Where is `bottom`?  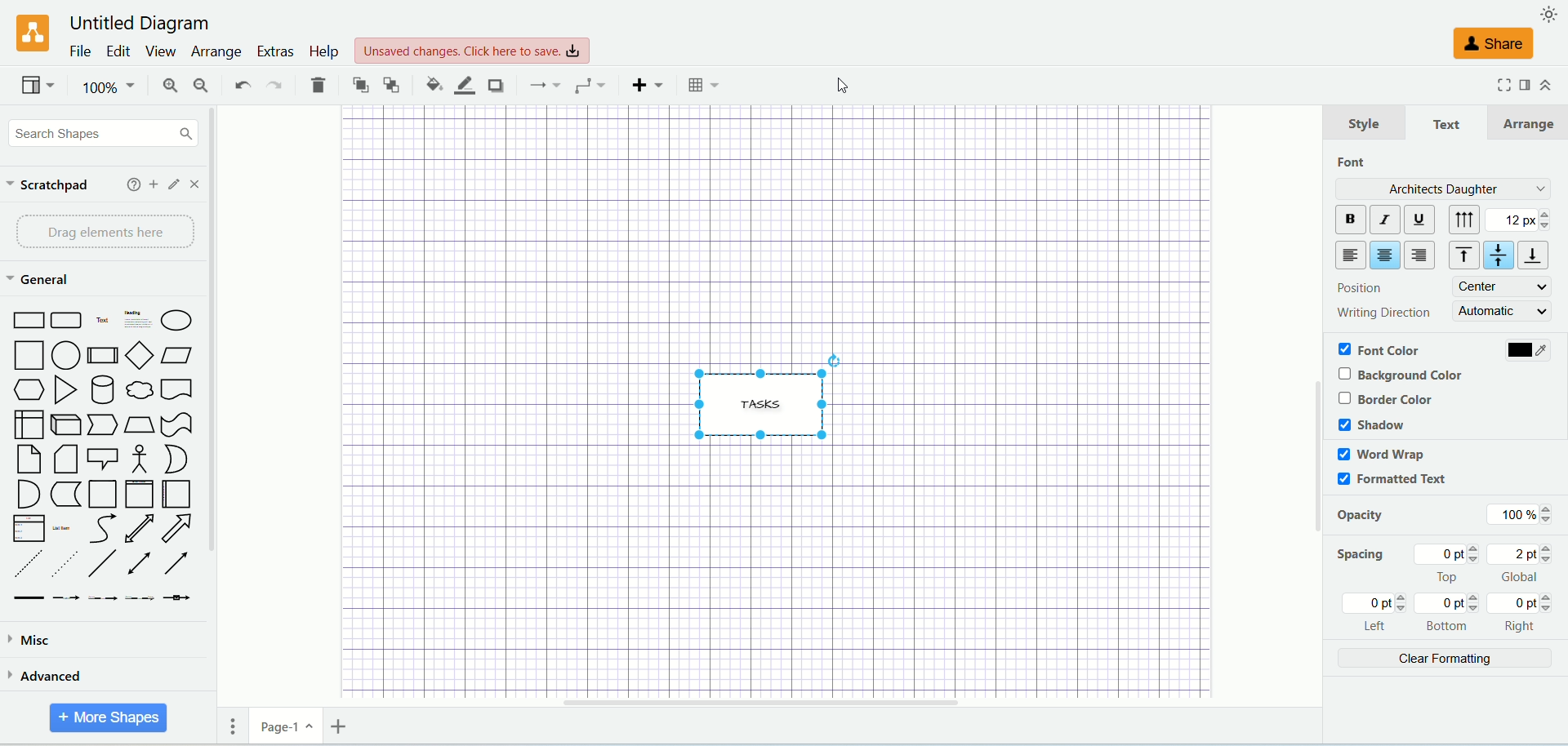 bottom is located at coordinates (1537, 255).